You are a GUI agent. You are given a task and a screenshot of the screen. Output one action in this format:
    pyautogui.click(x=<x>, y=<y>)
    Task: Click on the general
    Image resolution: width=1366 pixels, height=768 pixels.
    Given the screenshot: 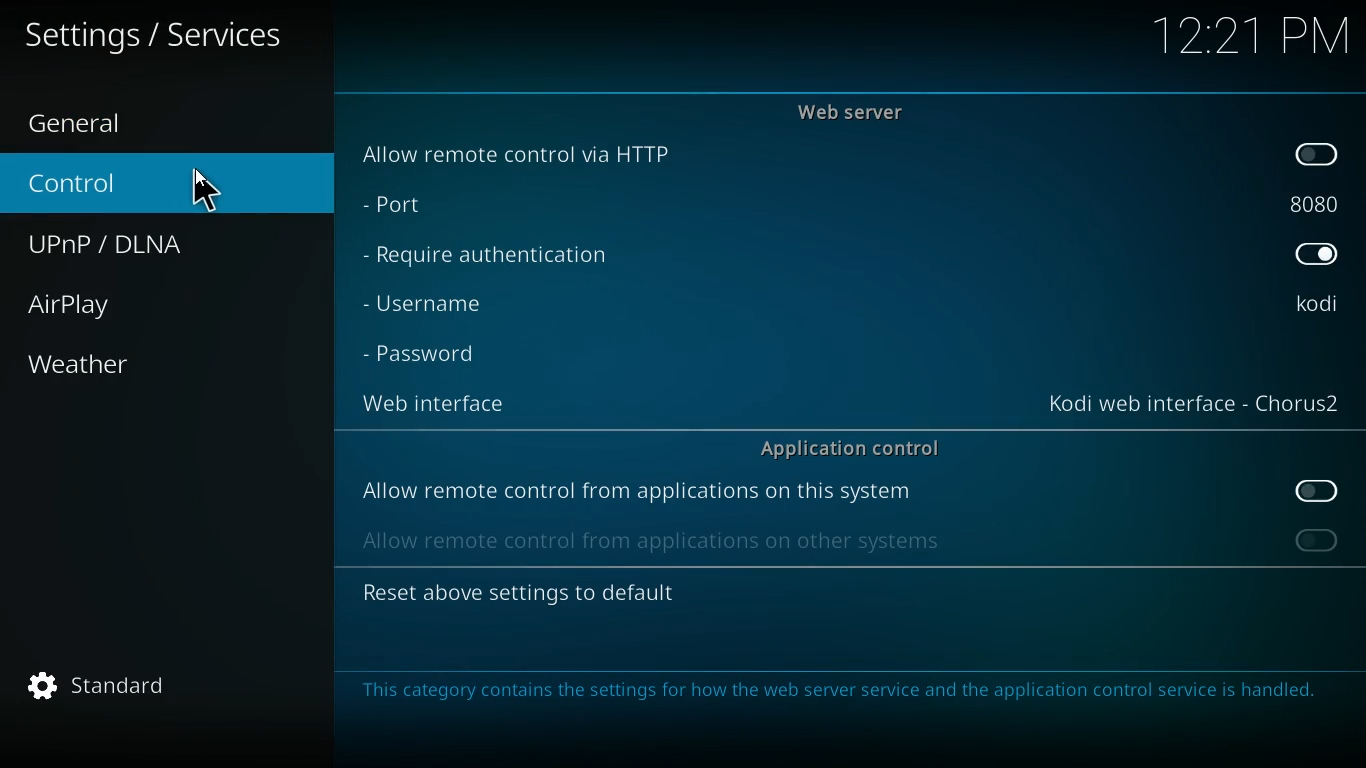 What is the action you would take?
    pyautogui.click(x=165, y=126)
    